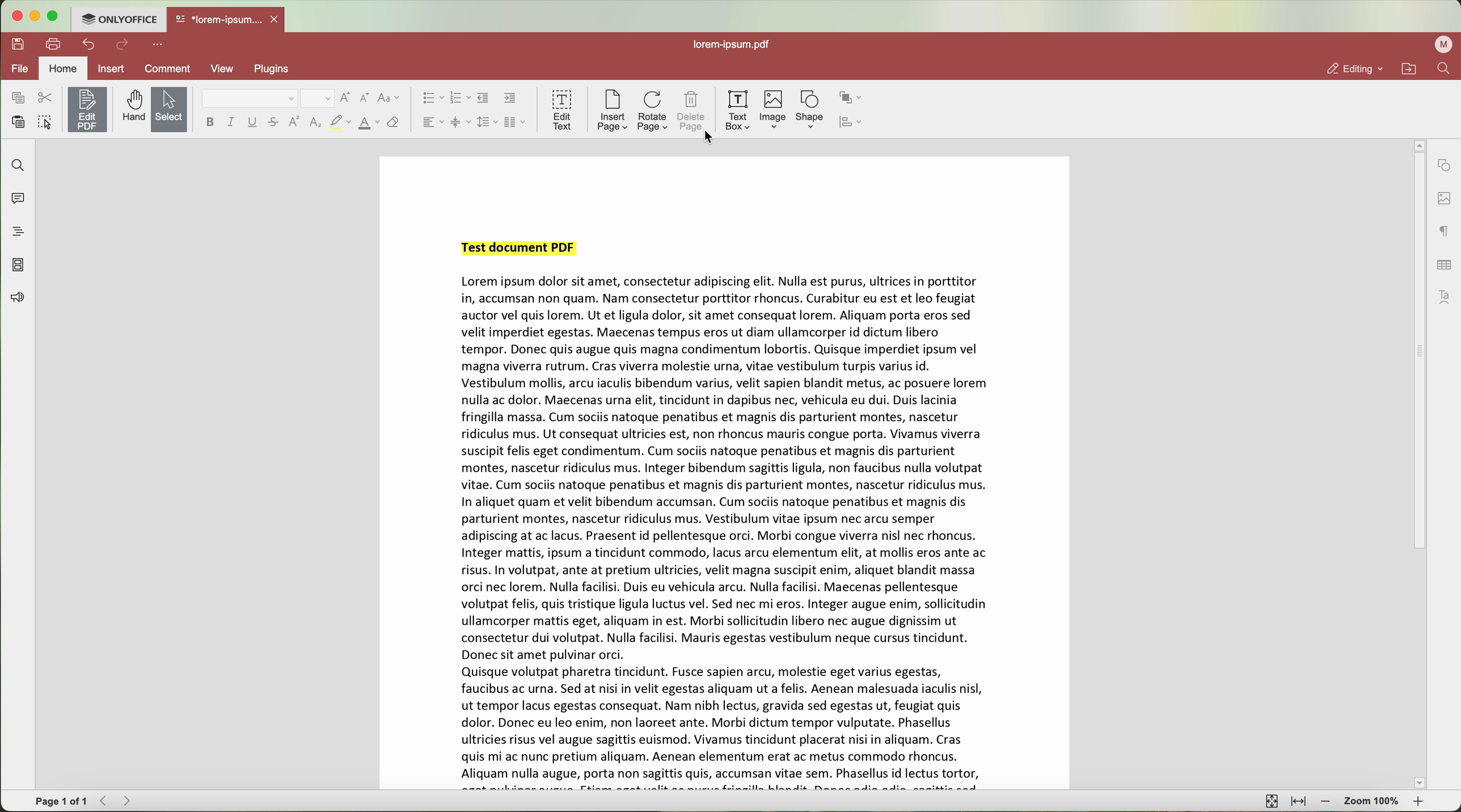 This screenshot has height=812, width=1461. What do you see at coordinates (65, 68) in the screenshot?
I see `home` at bounding box center [65, 68].